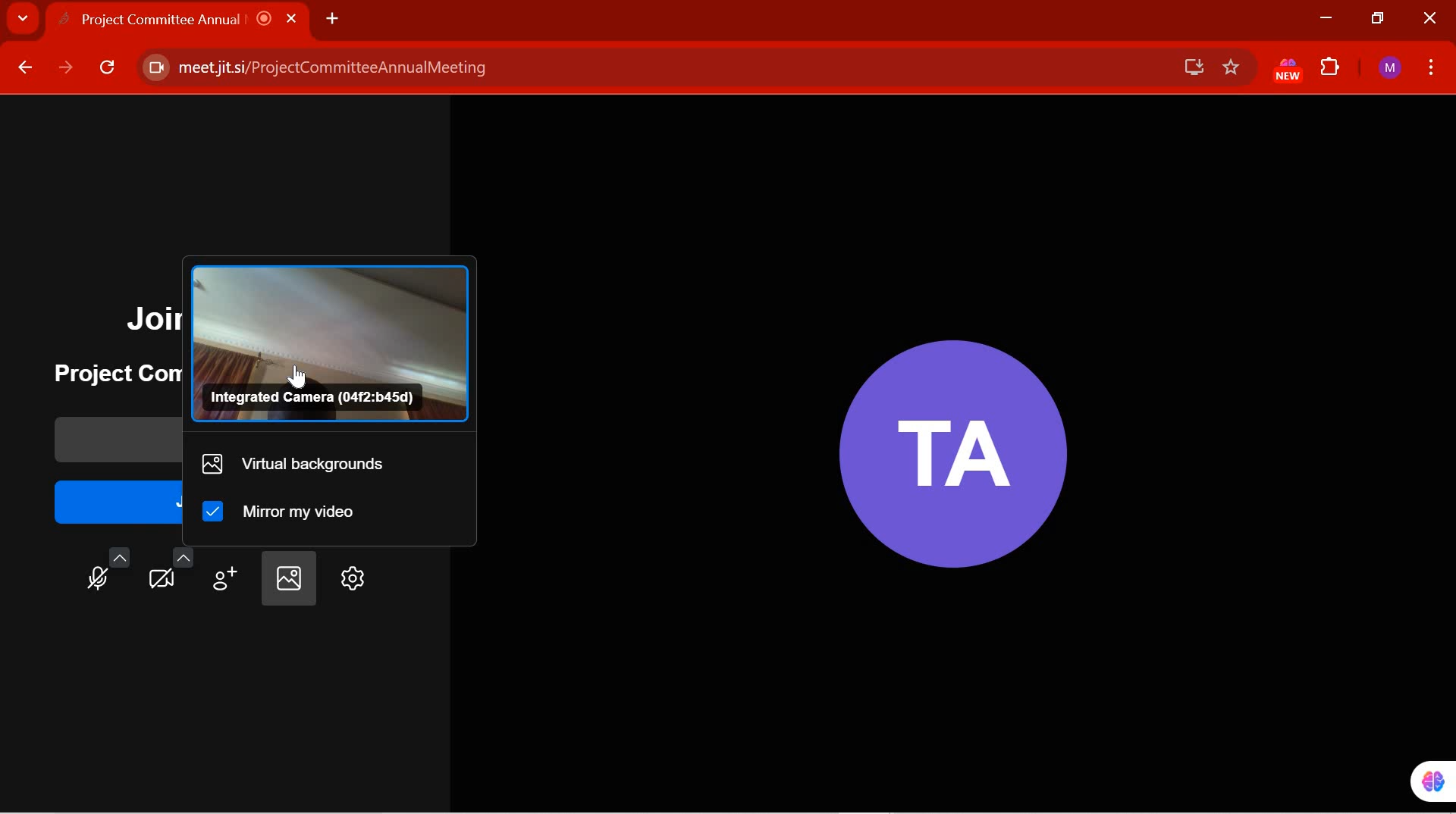 The height and width of the screenshot is (814, 1456). What do you see at coordinates (66, 68) in the screenshot?
I see `FORWARD` at bounding box center [66, 68].